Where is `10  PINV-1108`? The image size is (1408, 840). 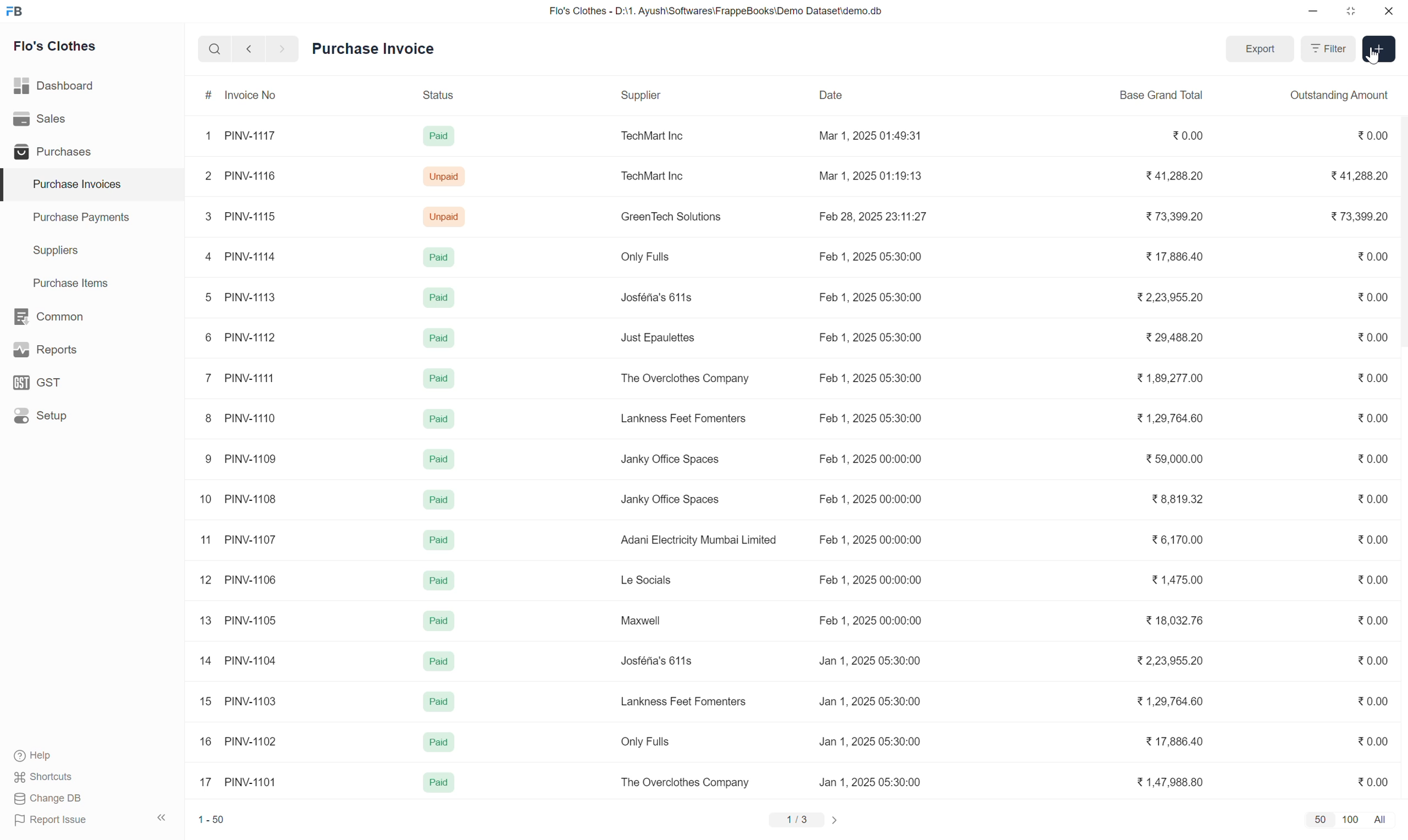
10  PINV-1108 is located at coordinates (237, 499).